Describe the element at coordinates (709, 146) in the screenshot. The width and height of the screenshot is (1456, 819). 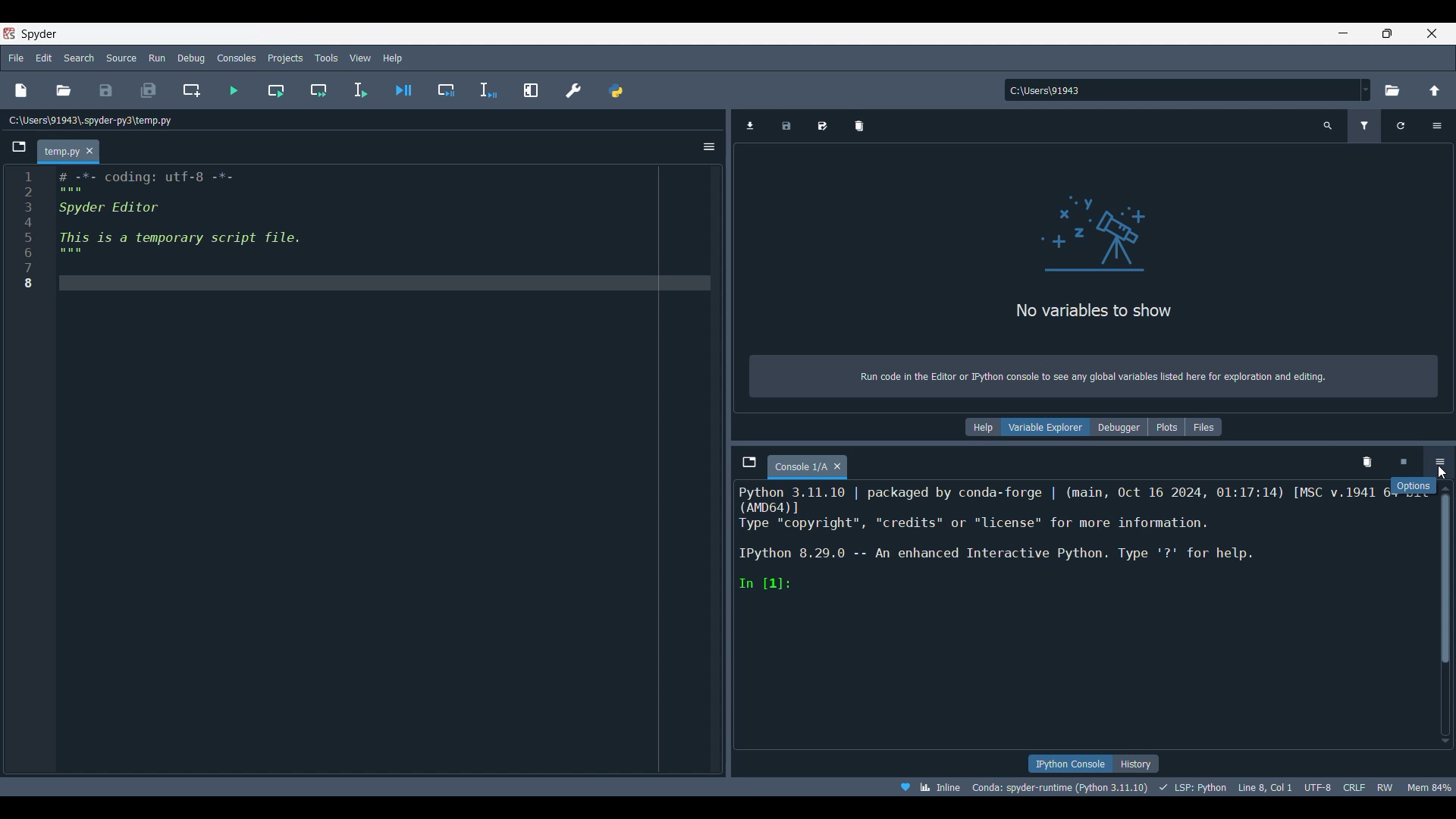
I see `Options` at that location.